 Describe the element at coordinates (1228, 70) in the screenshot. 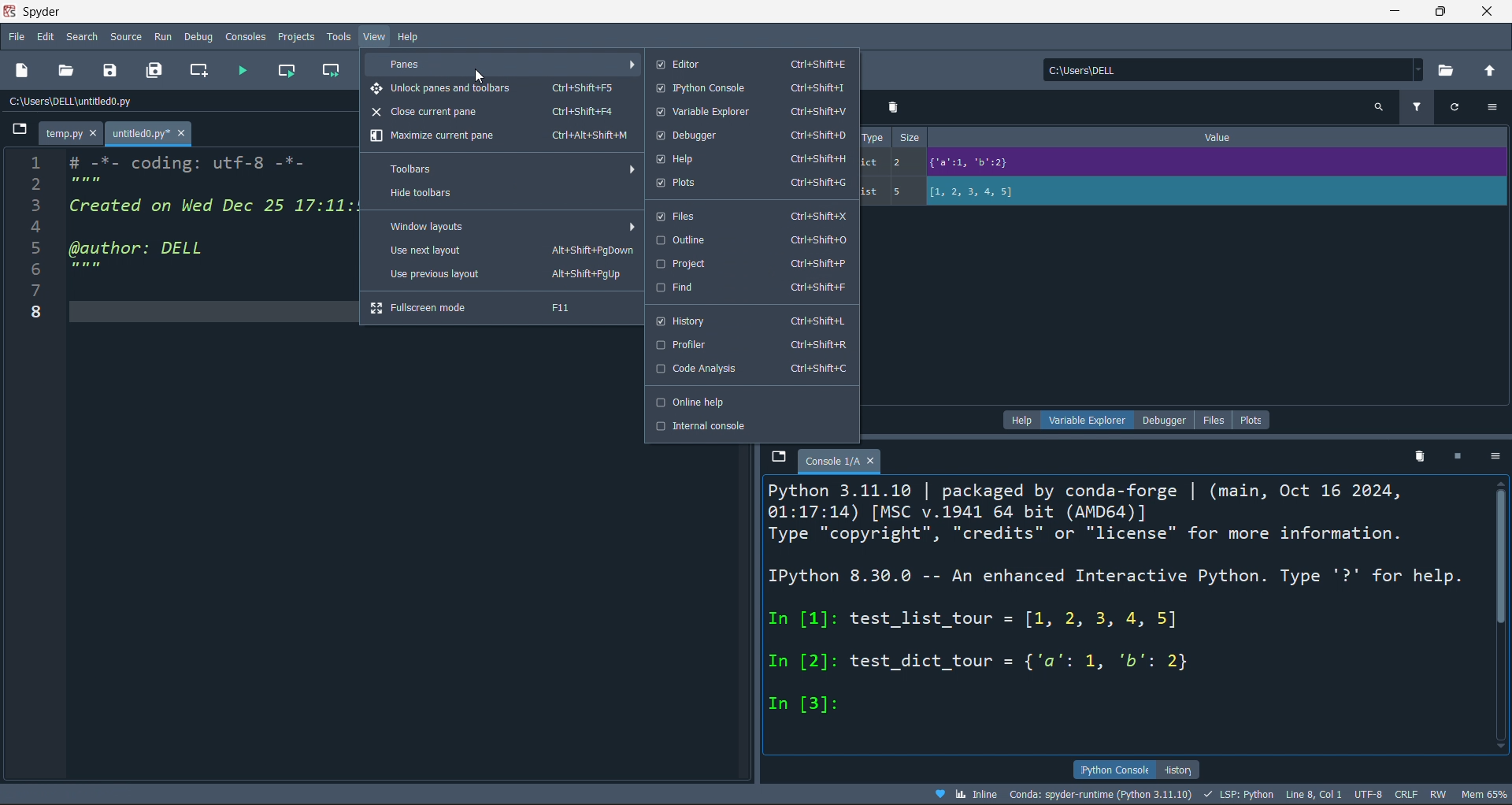

I see `current directory` at that location.